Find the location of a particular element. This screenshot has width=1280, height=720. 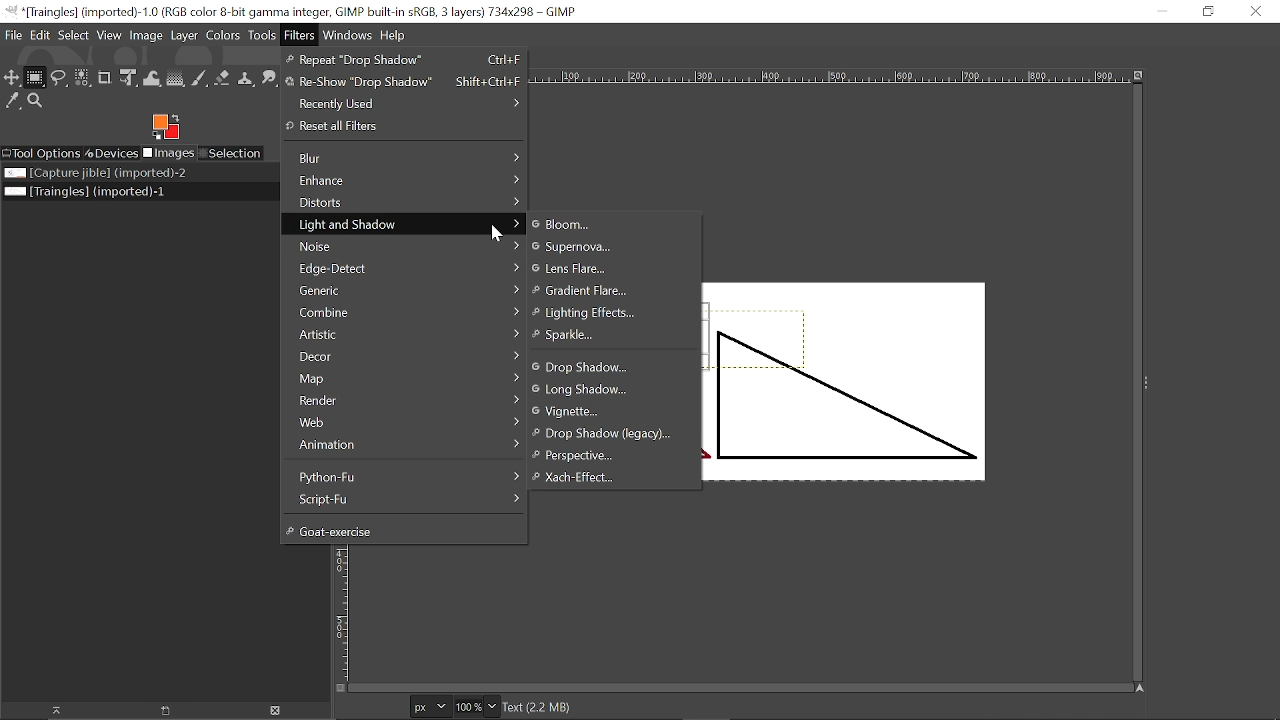

perspective is located at coordinates (604, 457).